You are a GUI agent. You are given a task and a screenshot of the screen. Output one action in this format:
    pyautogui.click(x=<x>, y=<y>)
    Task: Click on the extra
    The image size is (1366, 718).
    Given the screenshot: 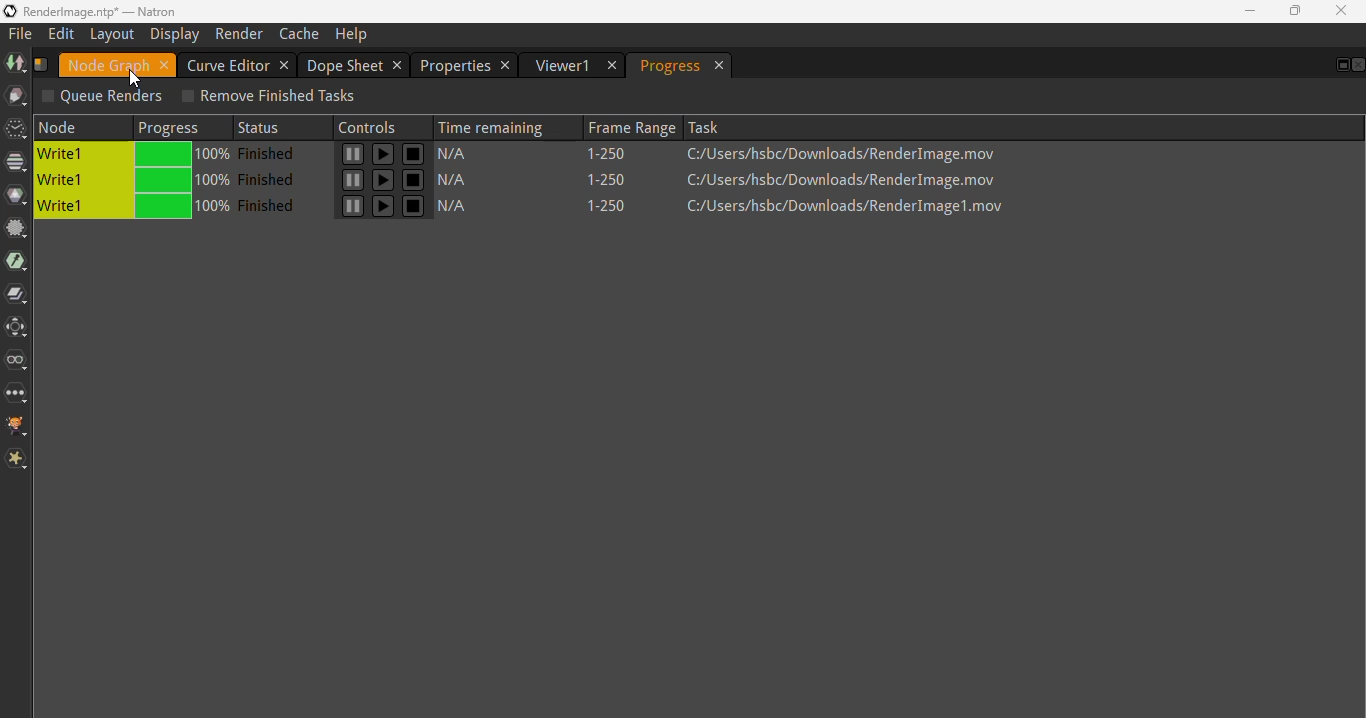 What is the action you would take?
    pyautogui.click(x=17, y=459)
    